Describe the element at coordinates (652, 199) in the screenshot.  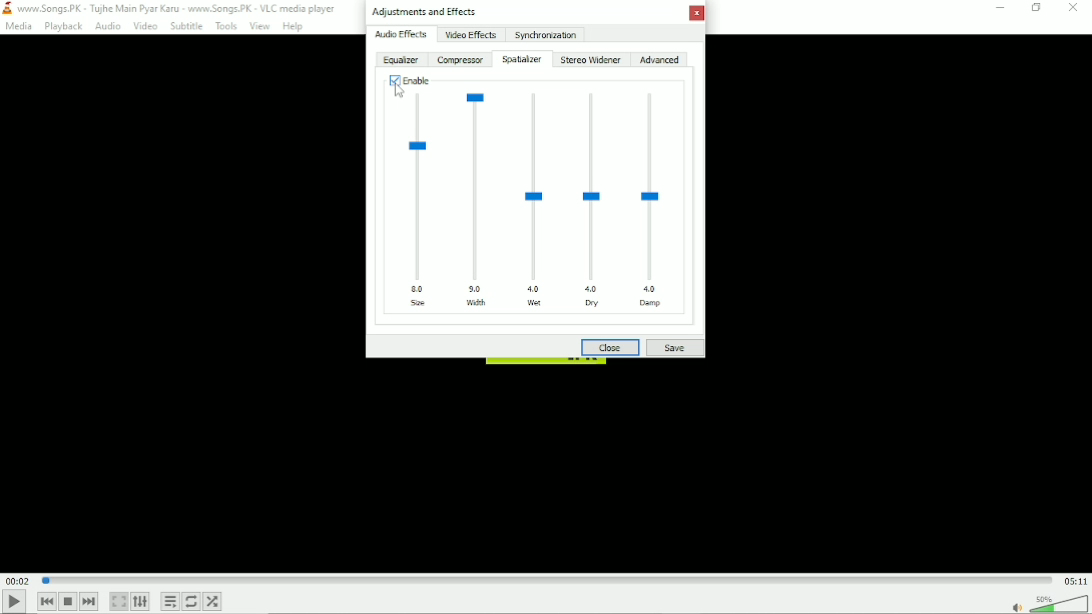
I see `Damp` at that location.